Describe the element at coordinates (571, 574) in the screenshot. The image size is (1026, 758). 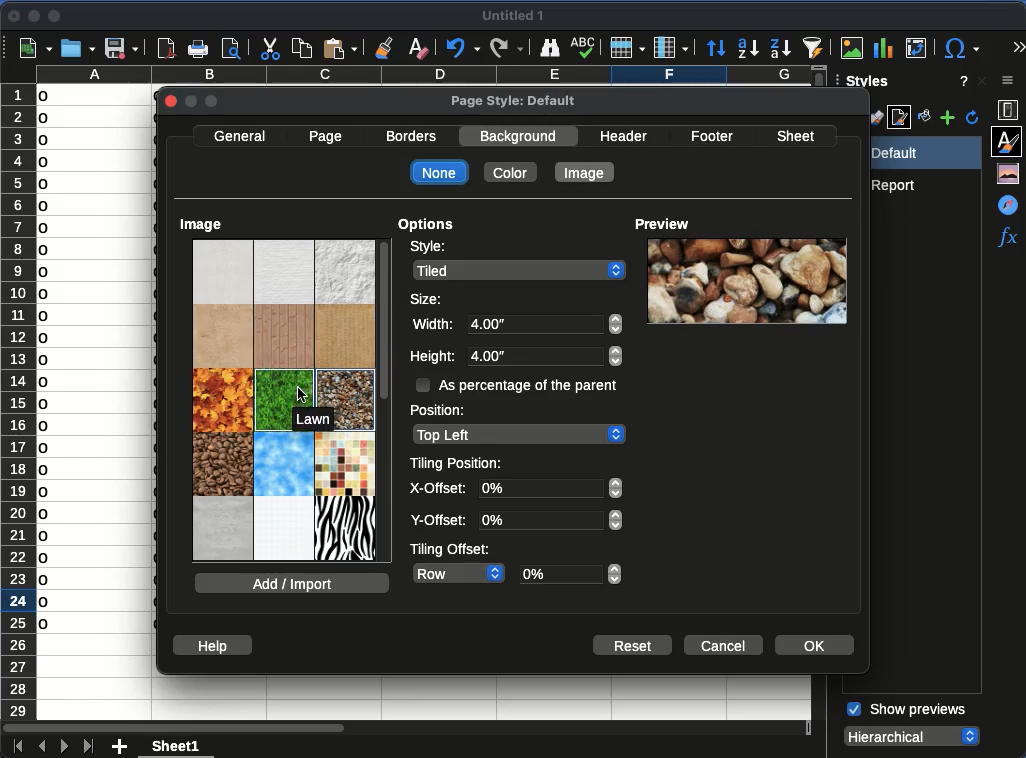
I see `0%` at that location.